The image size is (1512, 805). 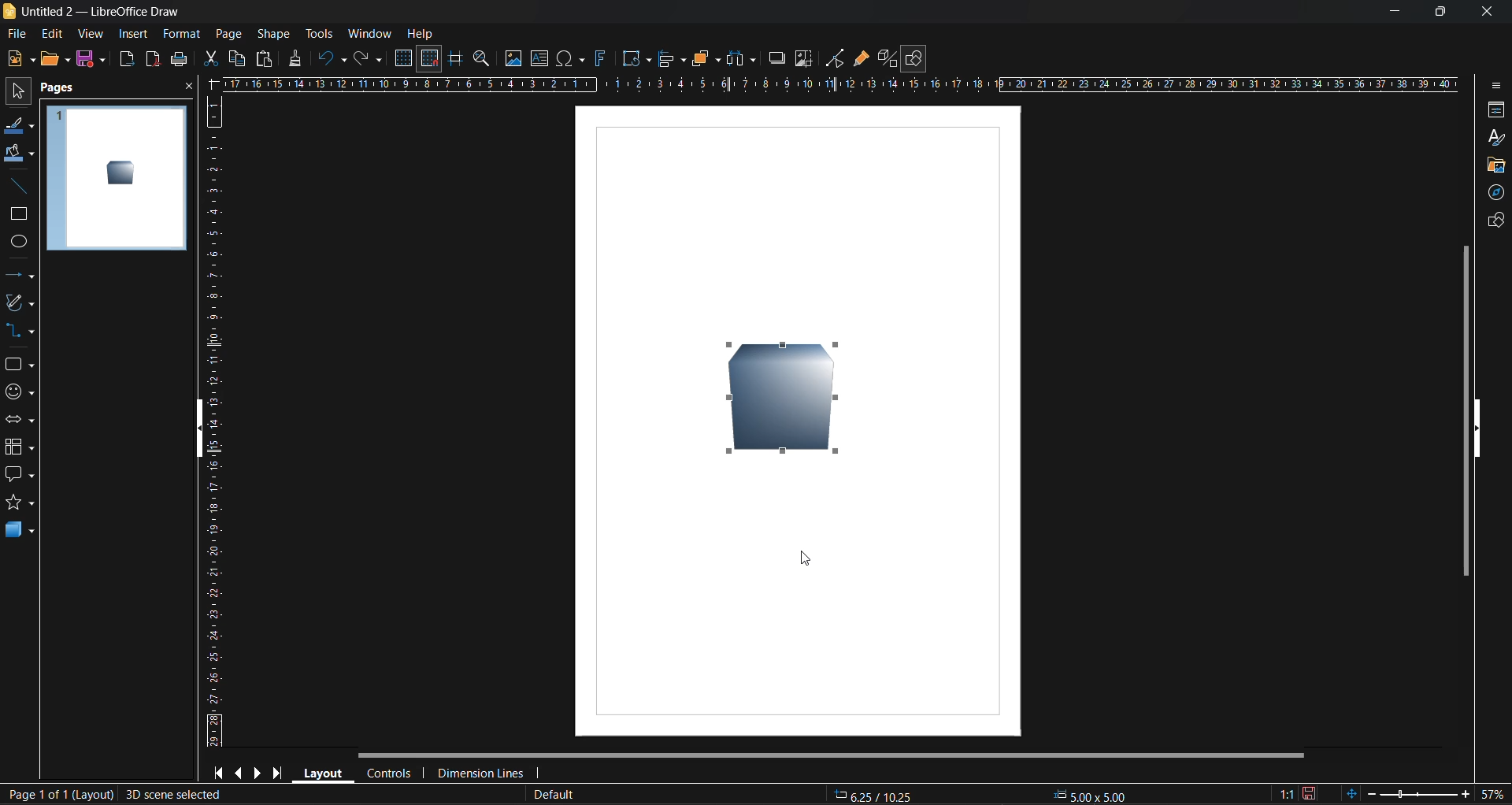 I want to click on scaling factor, so click(x=1285, y=791).